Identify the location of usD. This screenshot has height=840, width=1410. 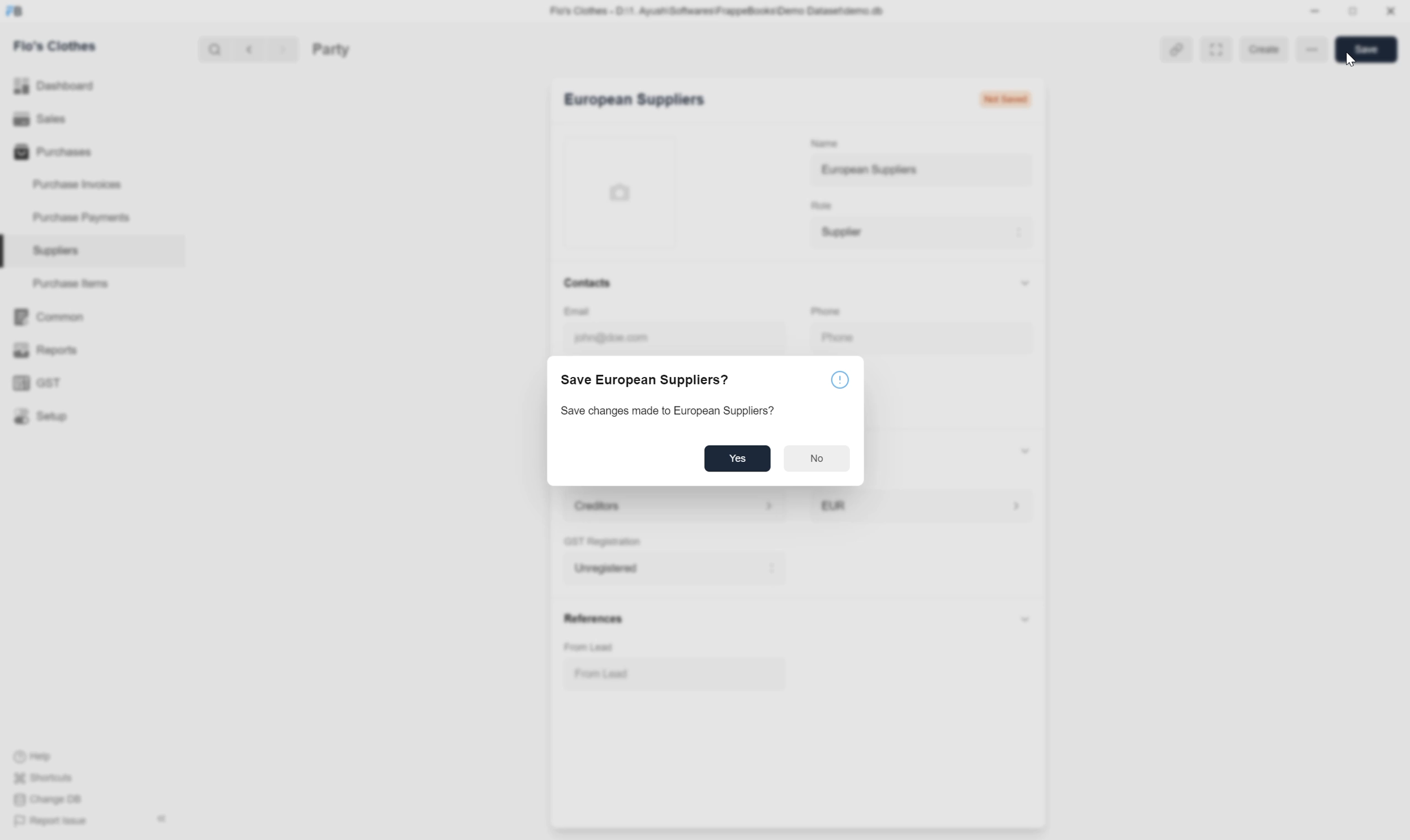
(834, 503).